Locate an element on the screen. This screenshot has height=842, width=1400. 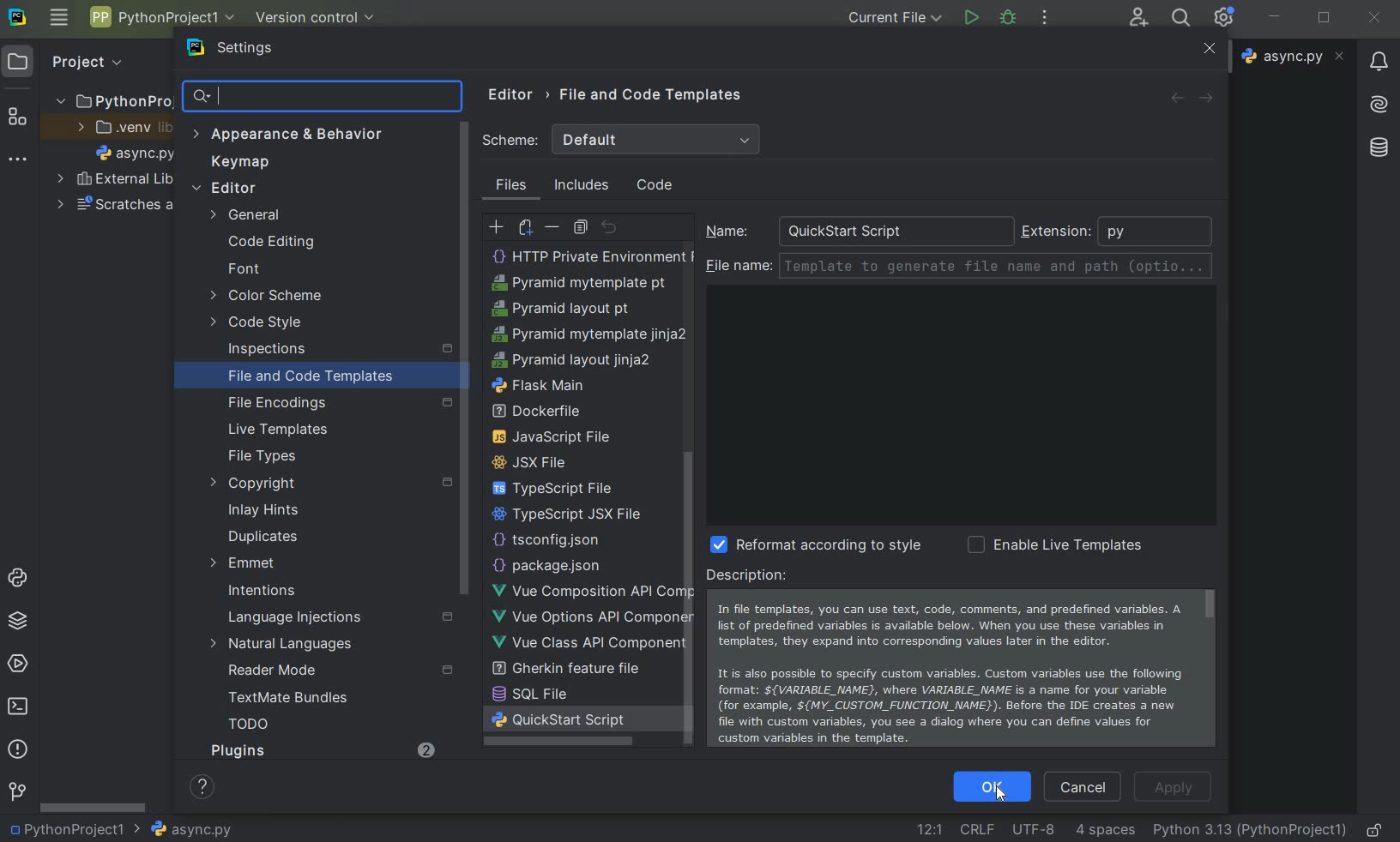
.venv is located at coordinates (124, 128).